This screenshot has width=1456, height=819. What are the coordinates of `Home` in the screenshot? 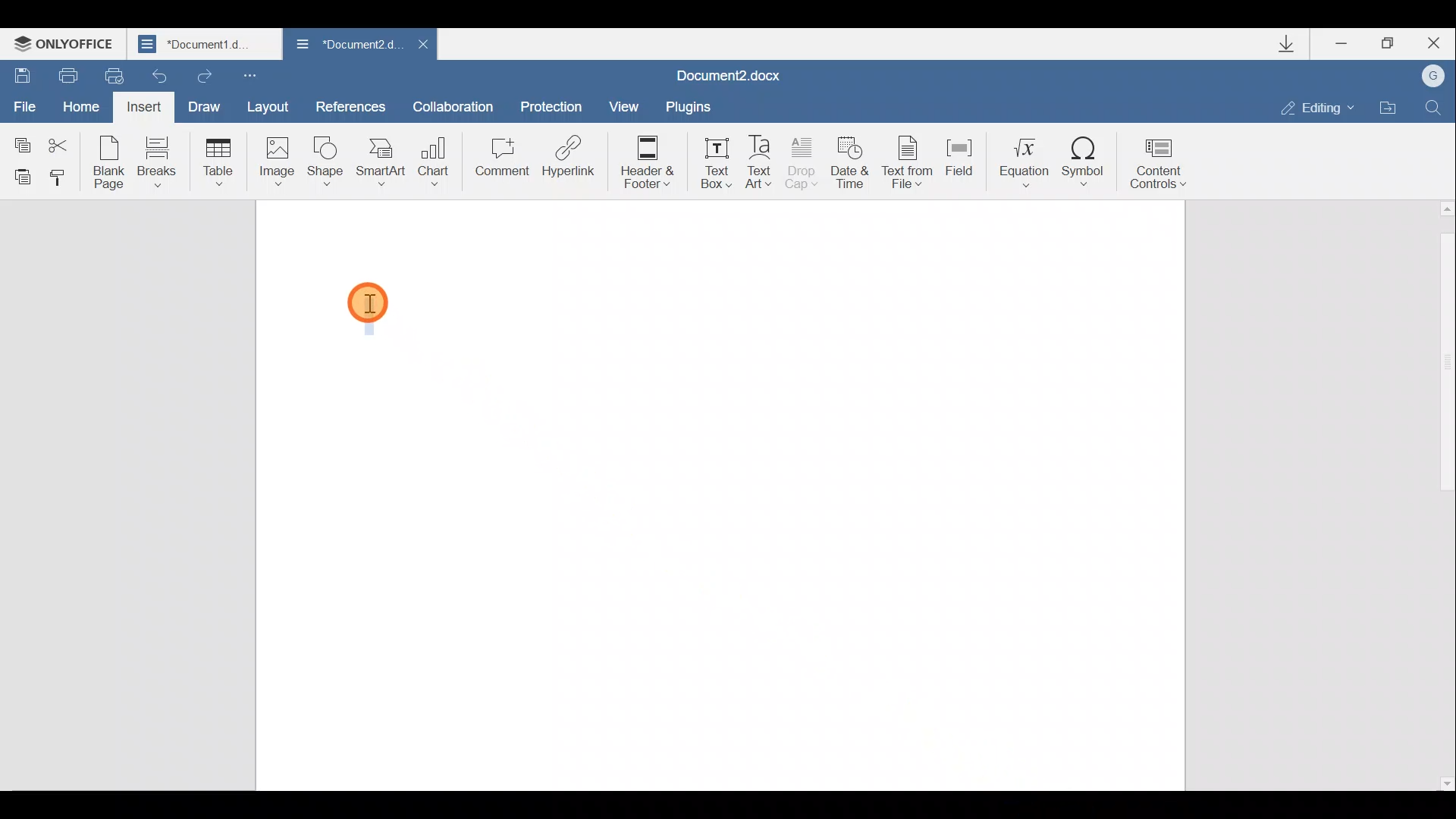 It's located at (78, 103).